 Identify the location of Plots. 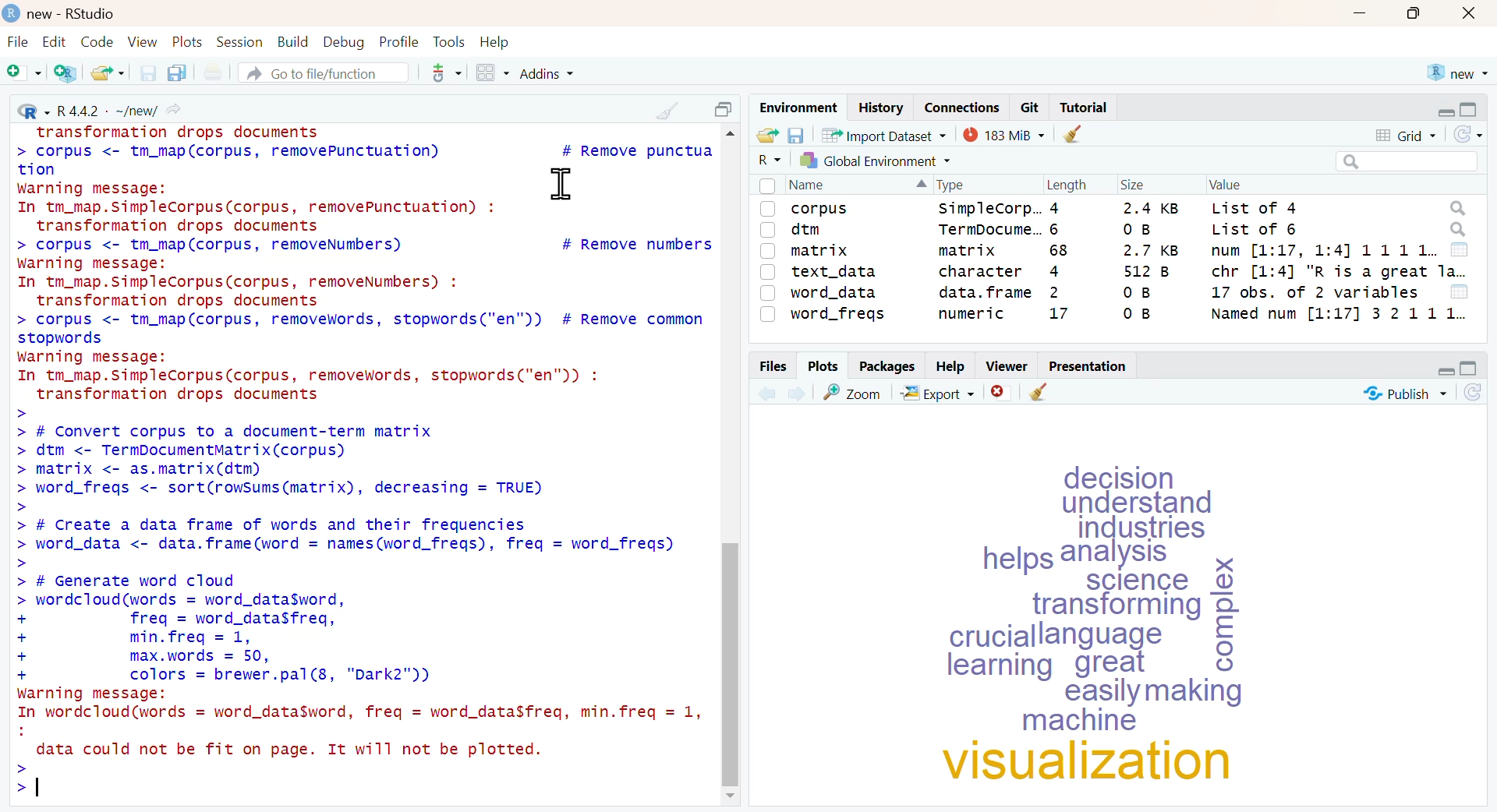
(823, 365).